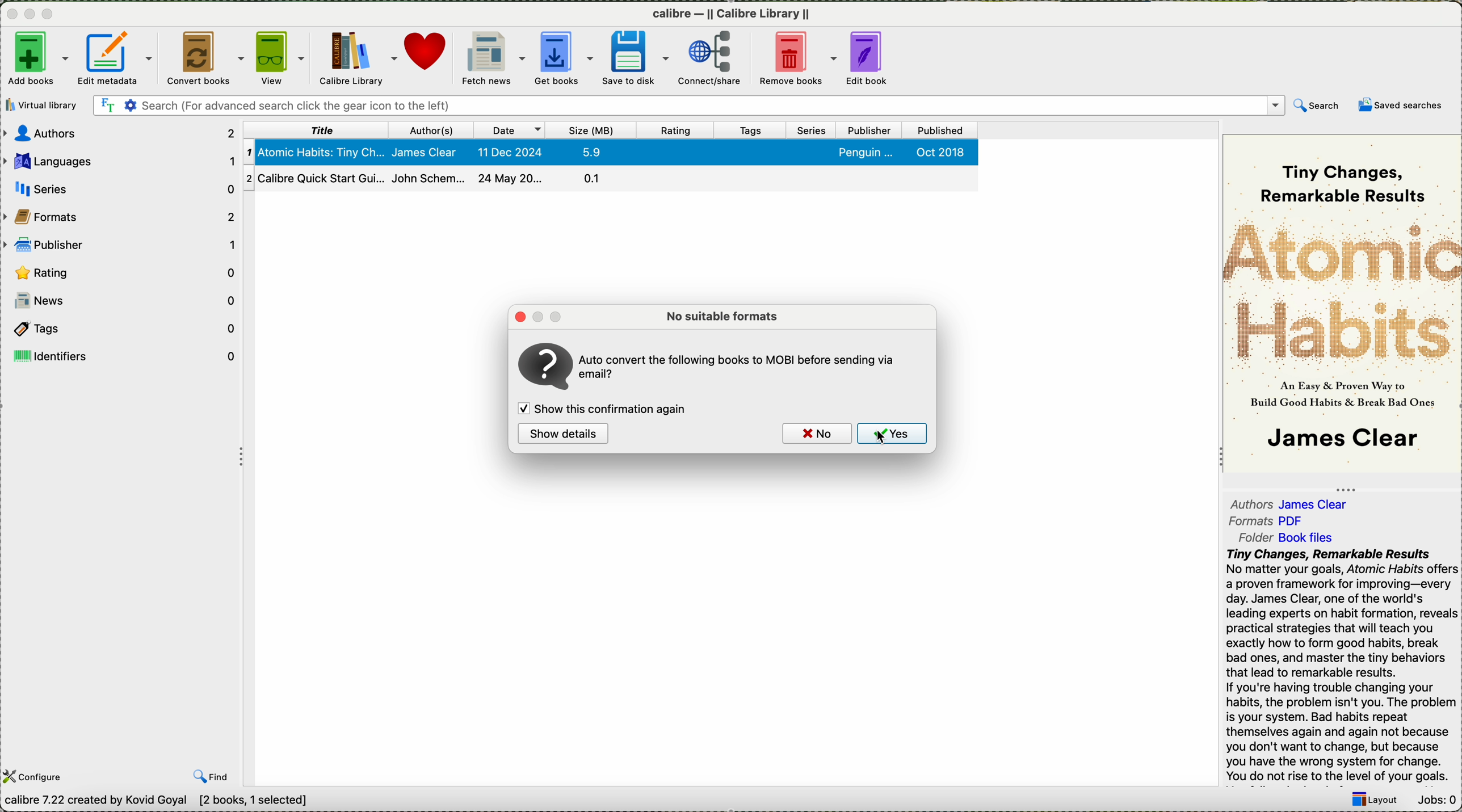 Image resolution: width=1462 pixels, height=812 pixels. Describe the element at coordinates (752, 129) in the screenshot. I see `tags` at that location.